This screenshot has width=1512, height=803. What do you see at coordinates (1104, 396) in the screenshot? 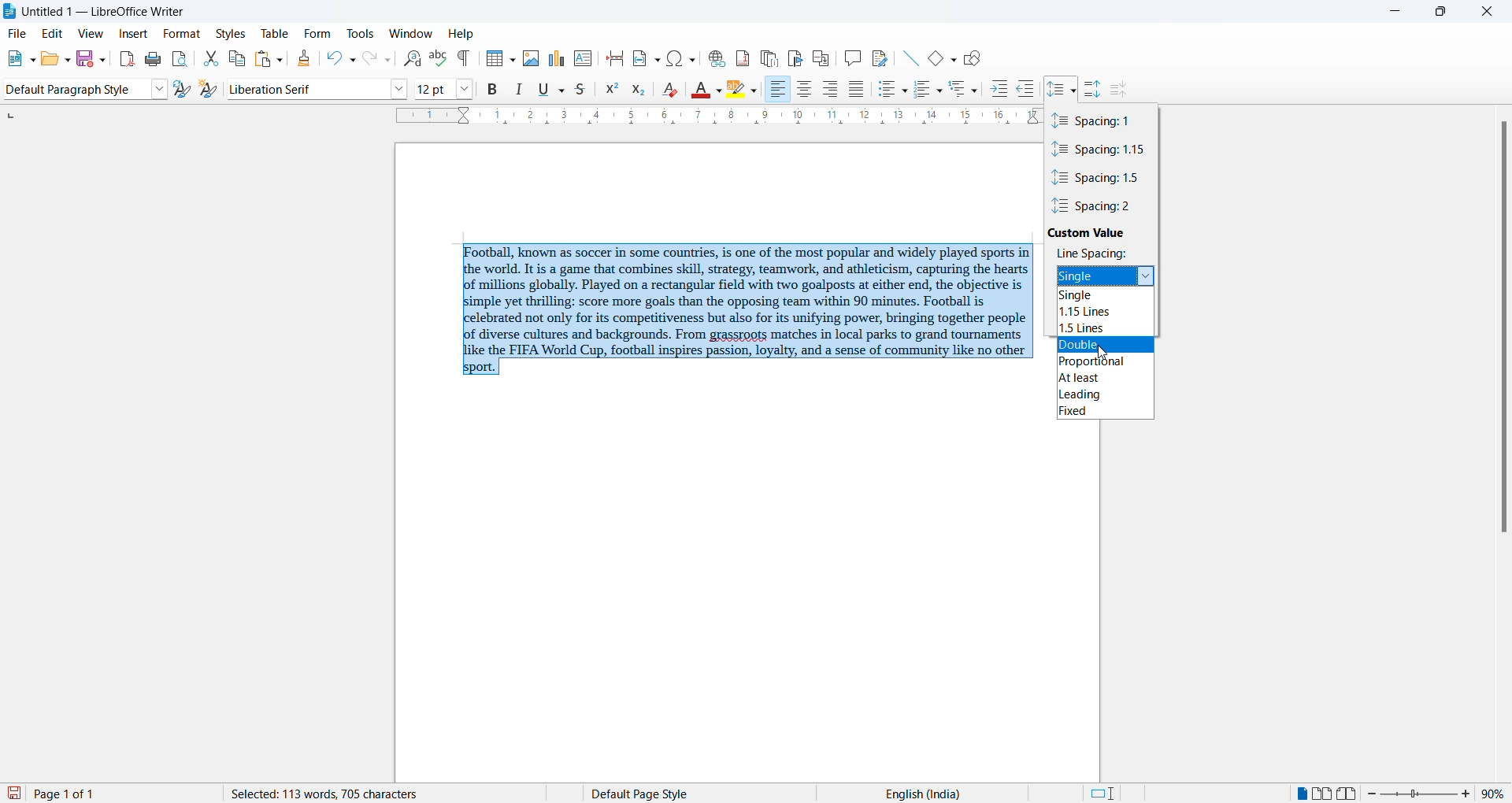
I see `leading` at bounding box center [1104, 396].